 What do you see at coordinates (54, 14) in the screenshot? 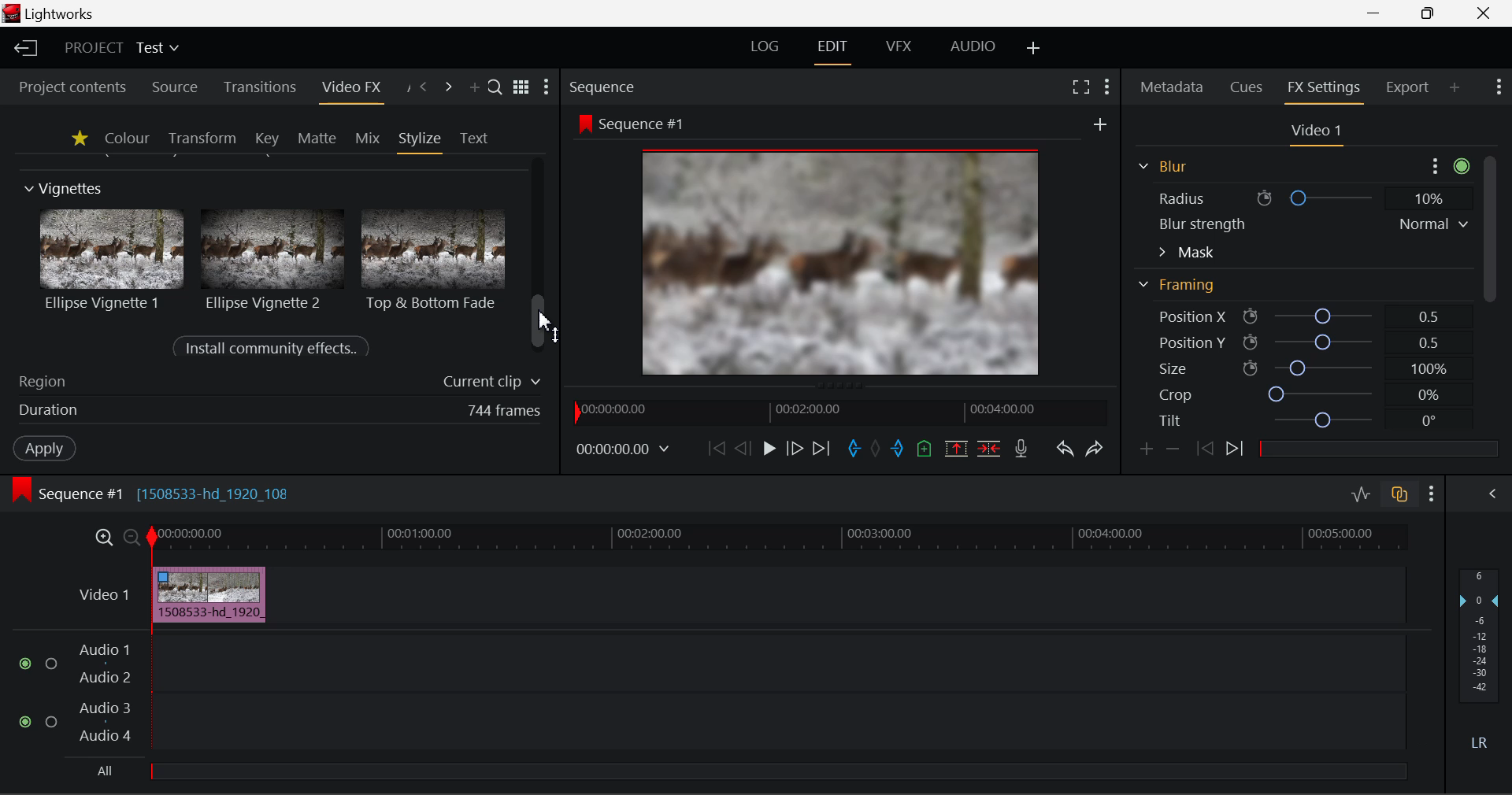
I see `Window Title` at bounding box center [54, 14].